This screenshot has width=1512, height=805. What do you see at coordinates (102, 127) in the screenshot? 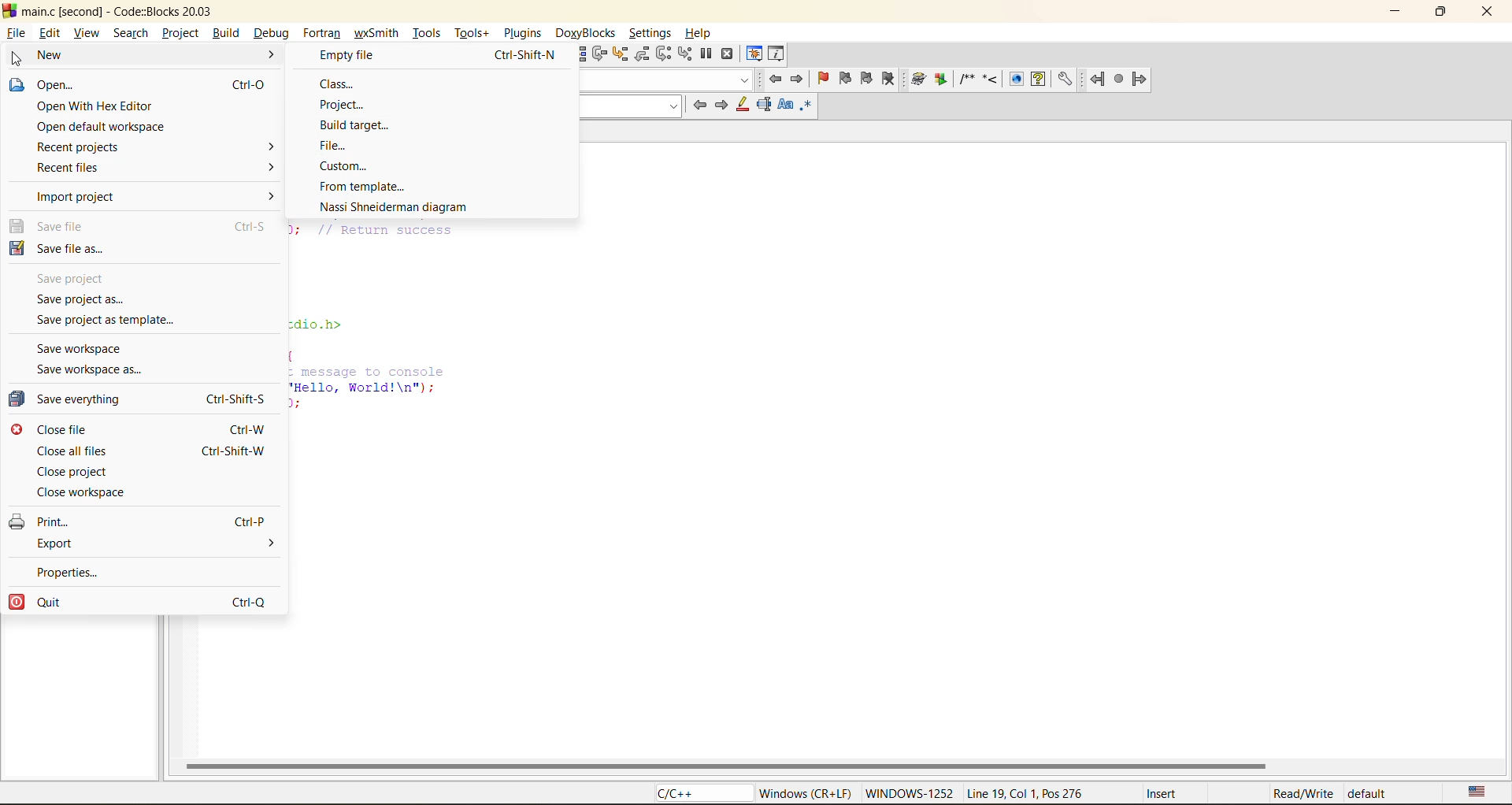
I see `open default workspace` at bounding box center [102, 127].